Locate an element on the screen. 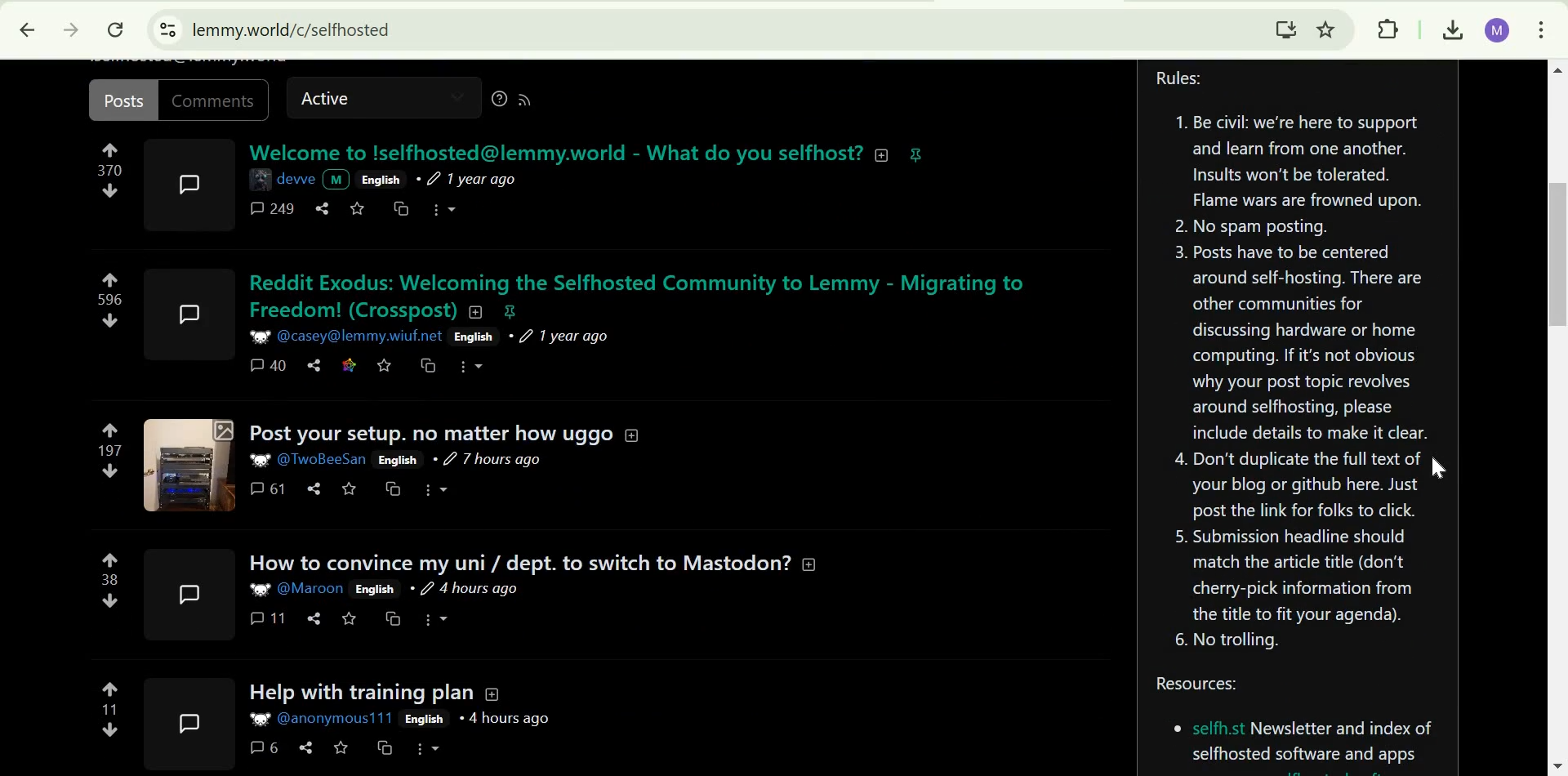  pinnned is located at coordinates (916, 154).